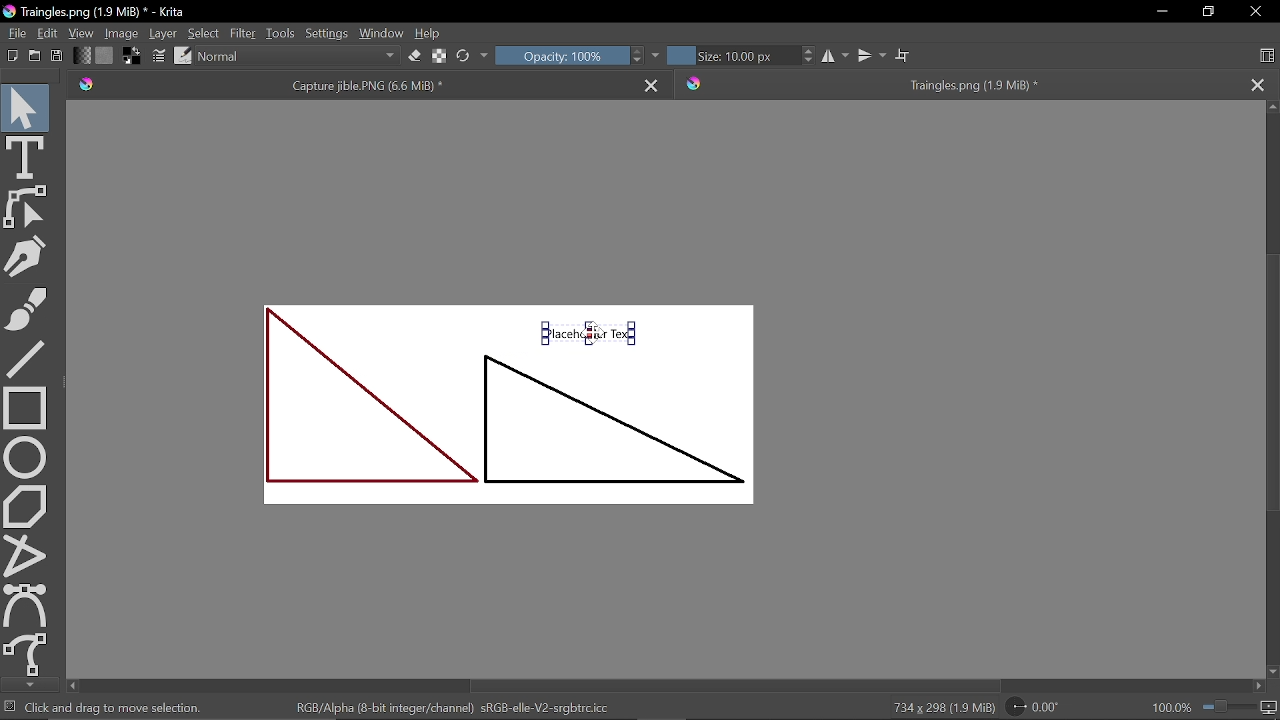 Image resolution: width=1280 pixels, height=720 pixels. Describe the element at coordinates (50, 34) in the screenshot. I see `Edit ` at that location.